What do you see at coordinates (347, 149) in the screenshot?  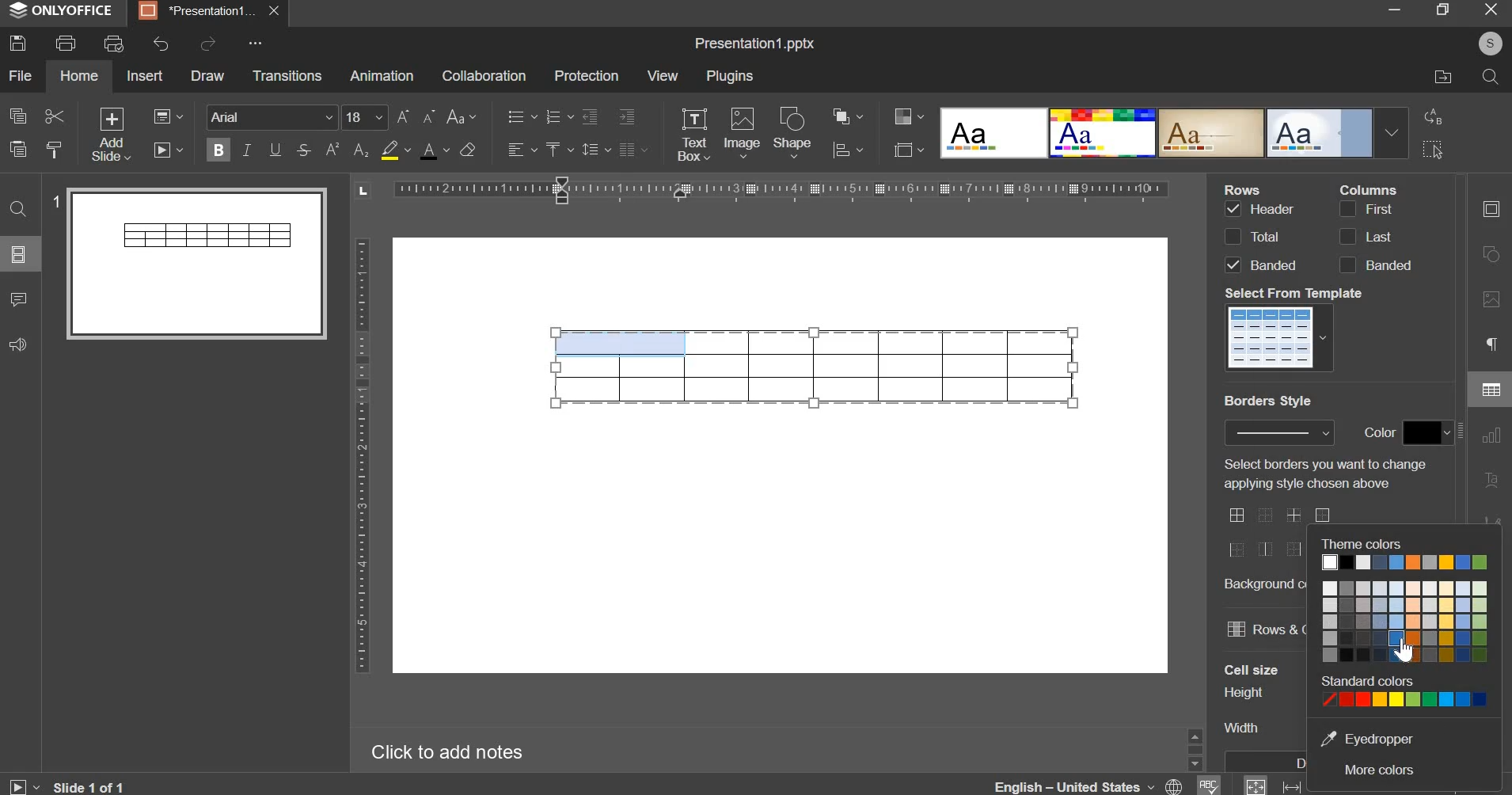 I see `subscript & superscript` at bounding box center [347, 149].